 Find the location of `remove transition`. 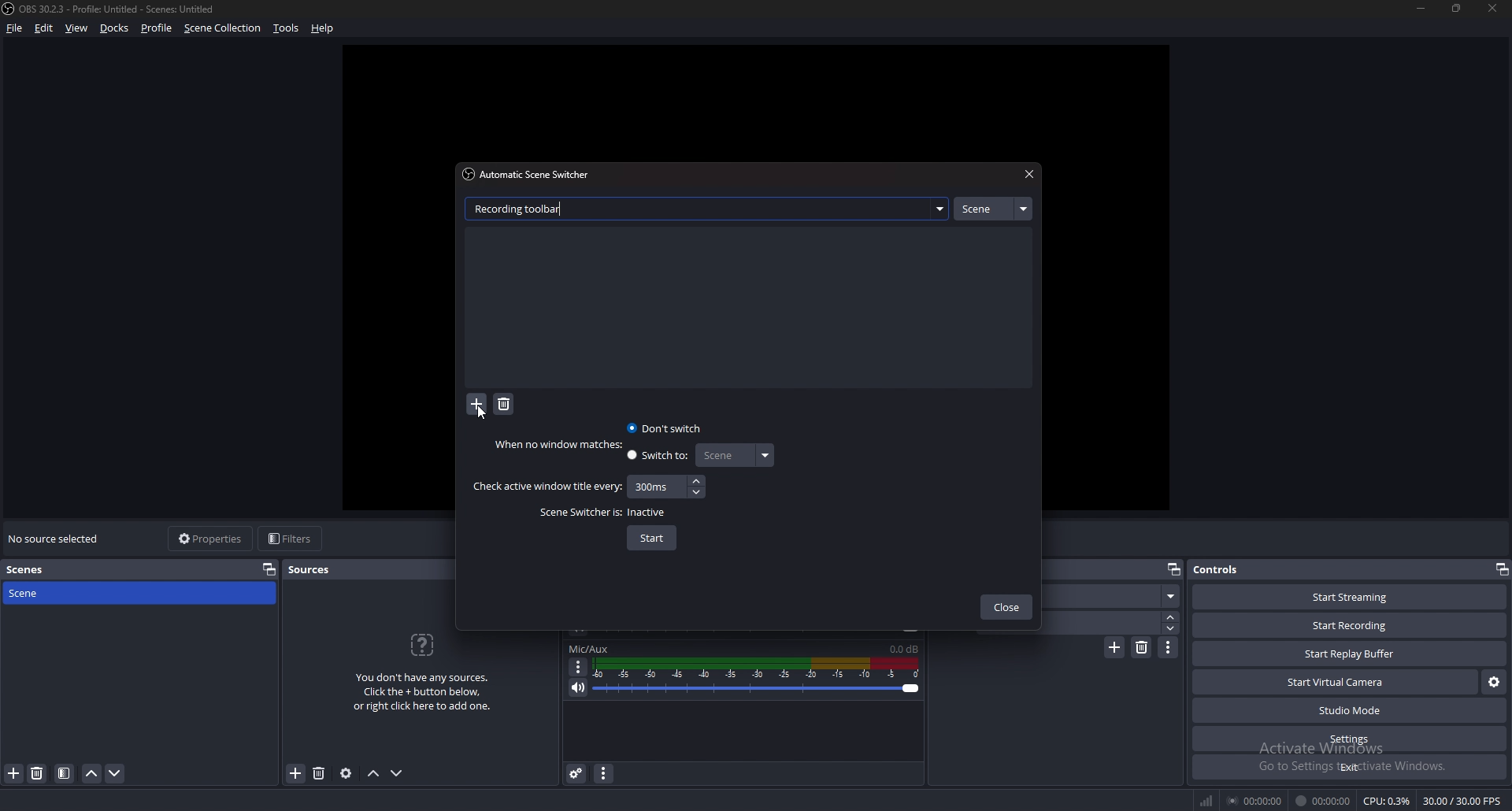

remove transition is located at coordinates (1143, 647).